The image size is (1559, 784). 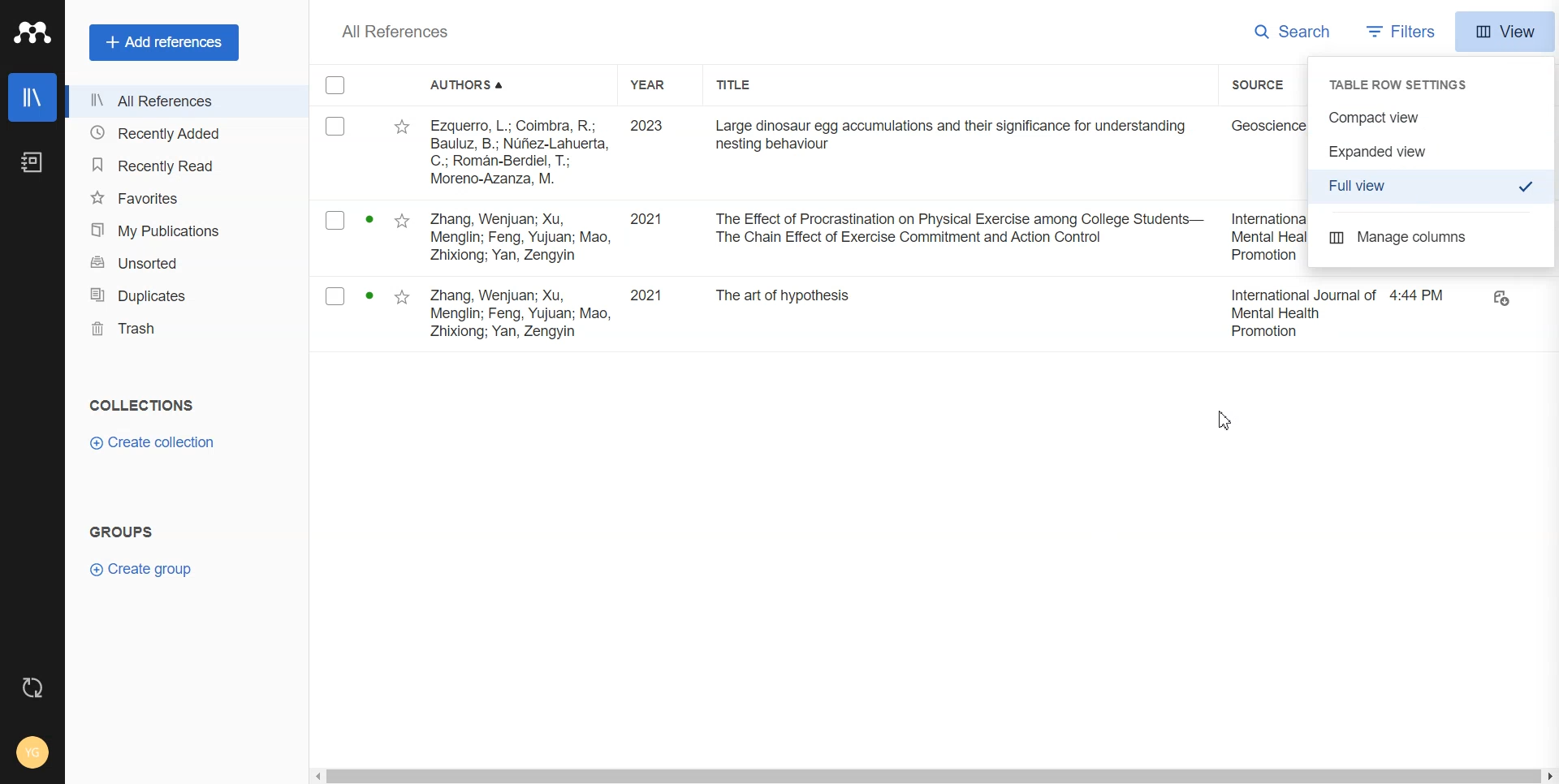 I want to click on Recently Added, so click(x=171, y=132).